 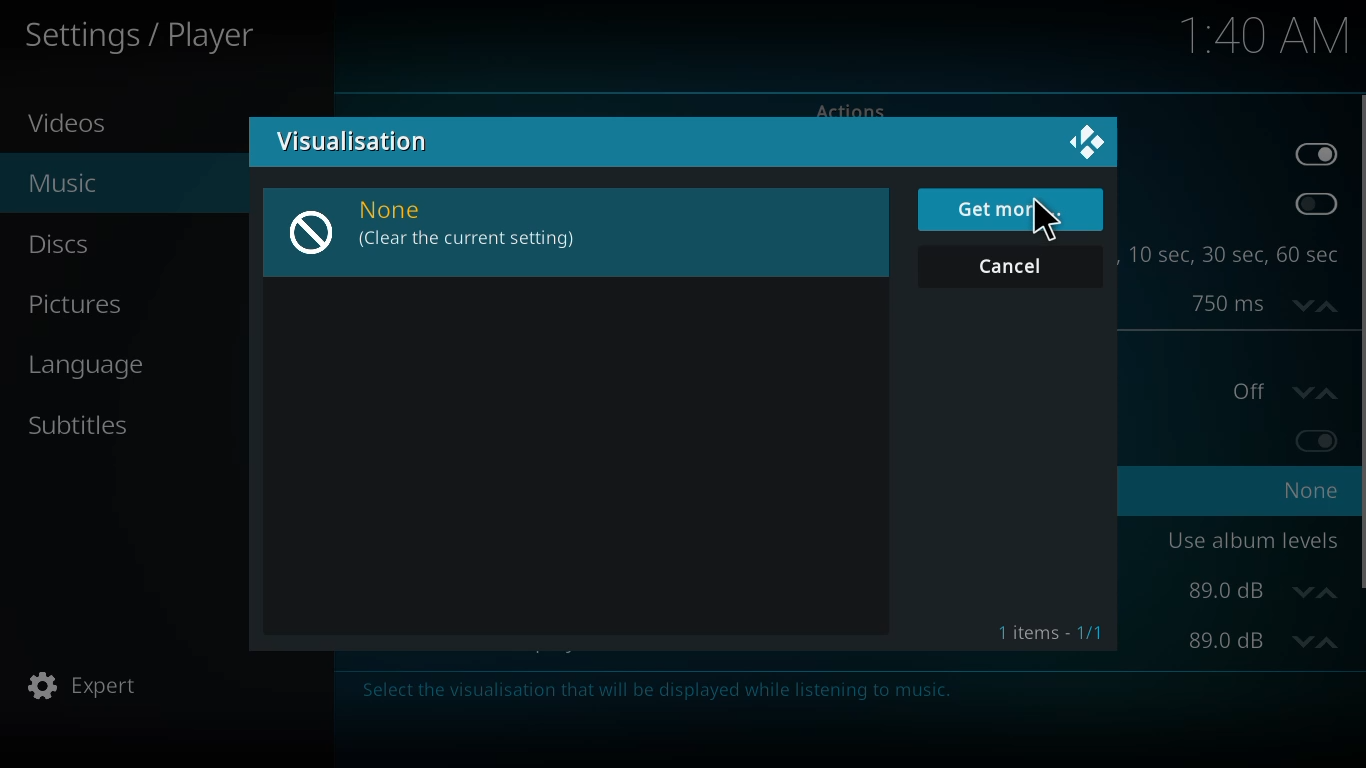 What do you see at coordinates (1267, 34) in the screenshot?
I see `time` at bounding box center [1267, 34].